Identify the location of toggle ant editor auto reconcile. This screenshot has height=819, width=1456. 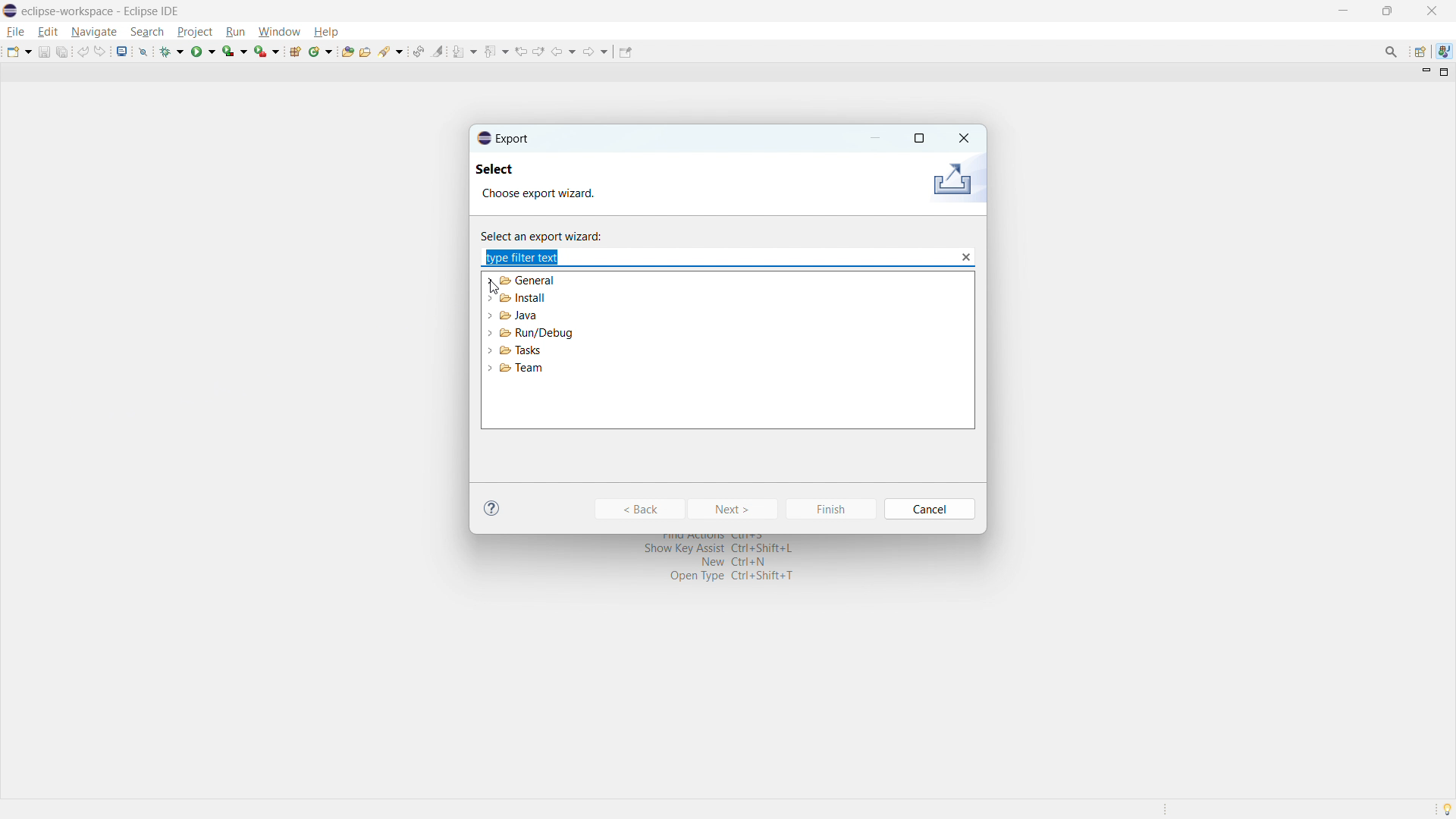
(418, 51).